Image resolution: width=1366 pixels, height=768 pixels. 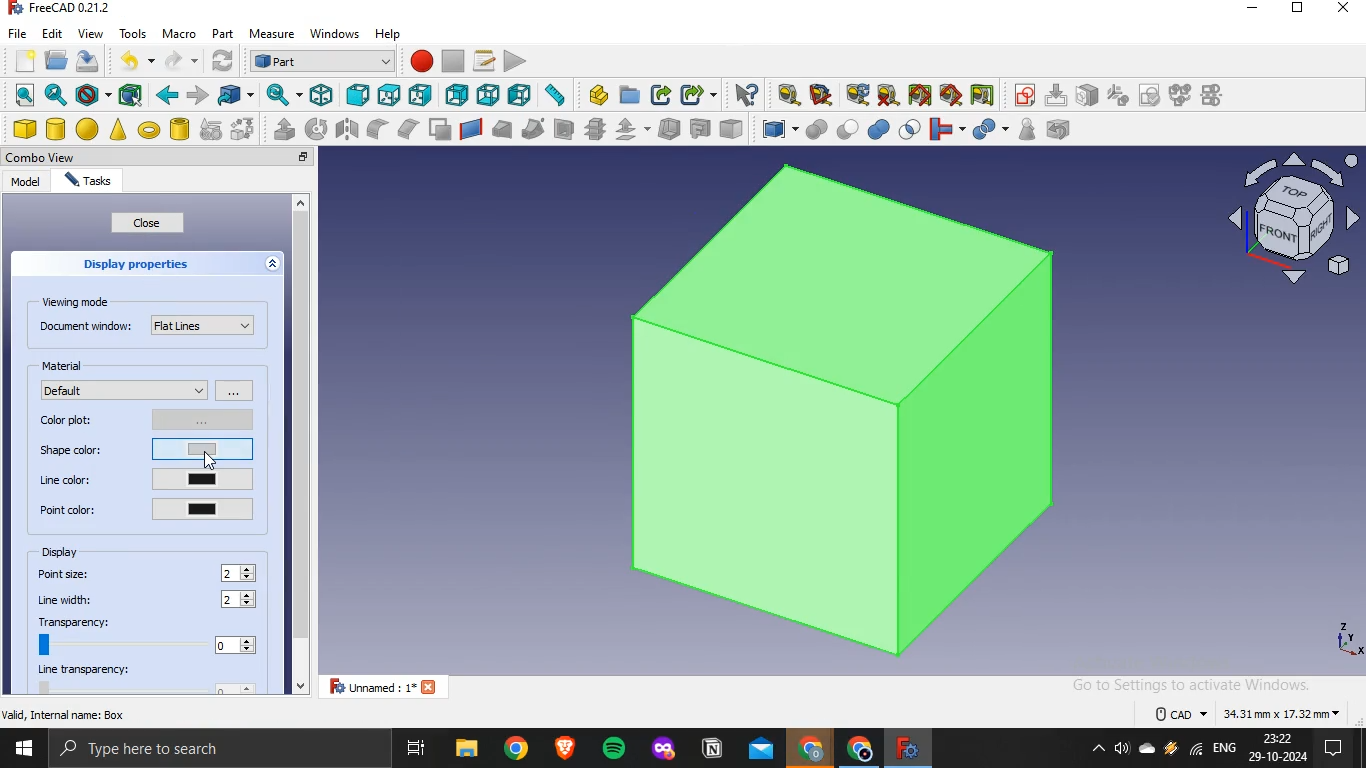 I want to click on spotify, so click(x=616, y=750).